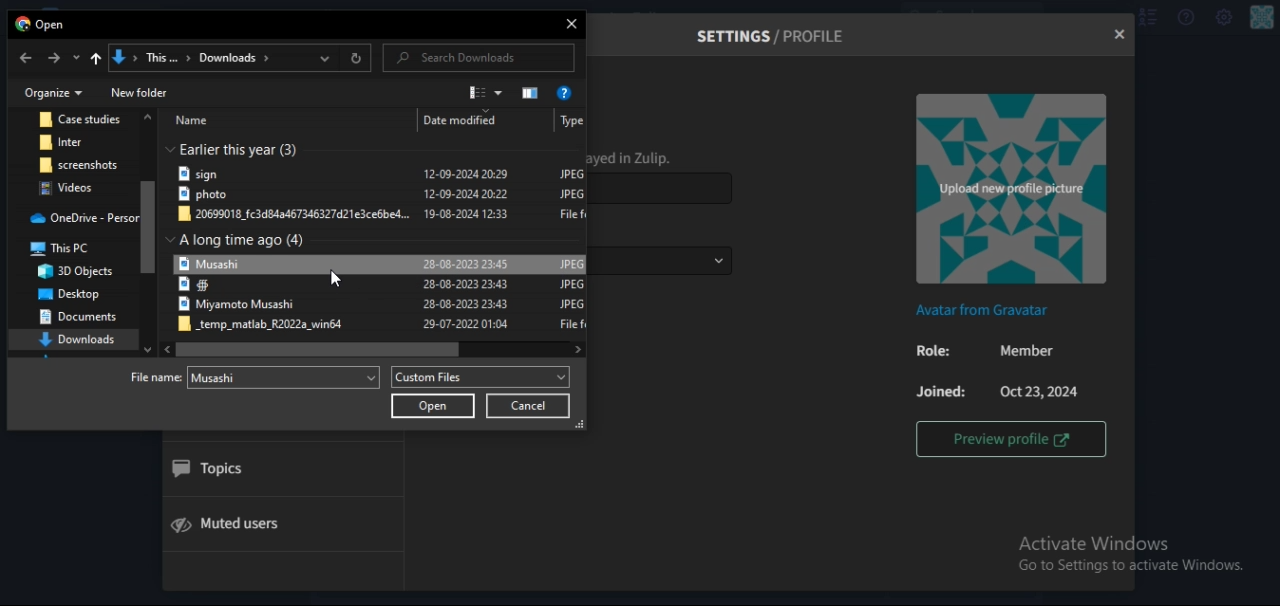 The image size is (1280, 606). What do you see at coordinates (380, 287) in the screenshot?
I see `file` at bounding box center [380, 287].